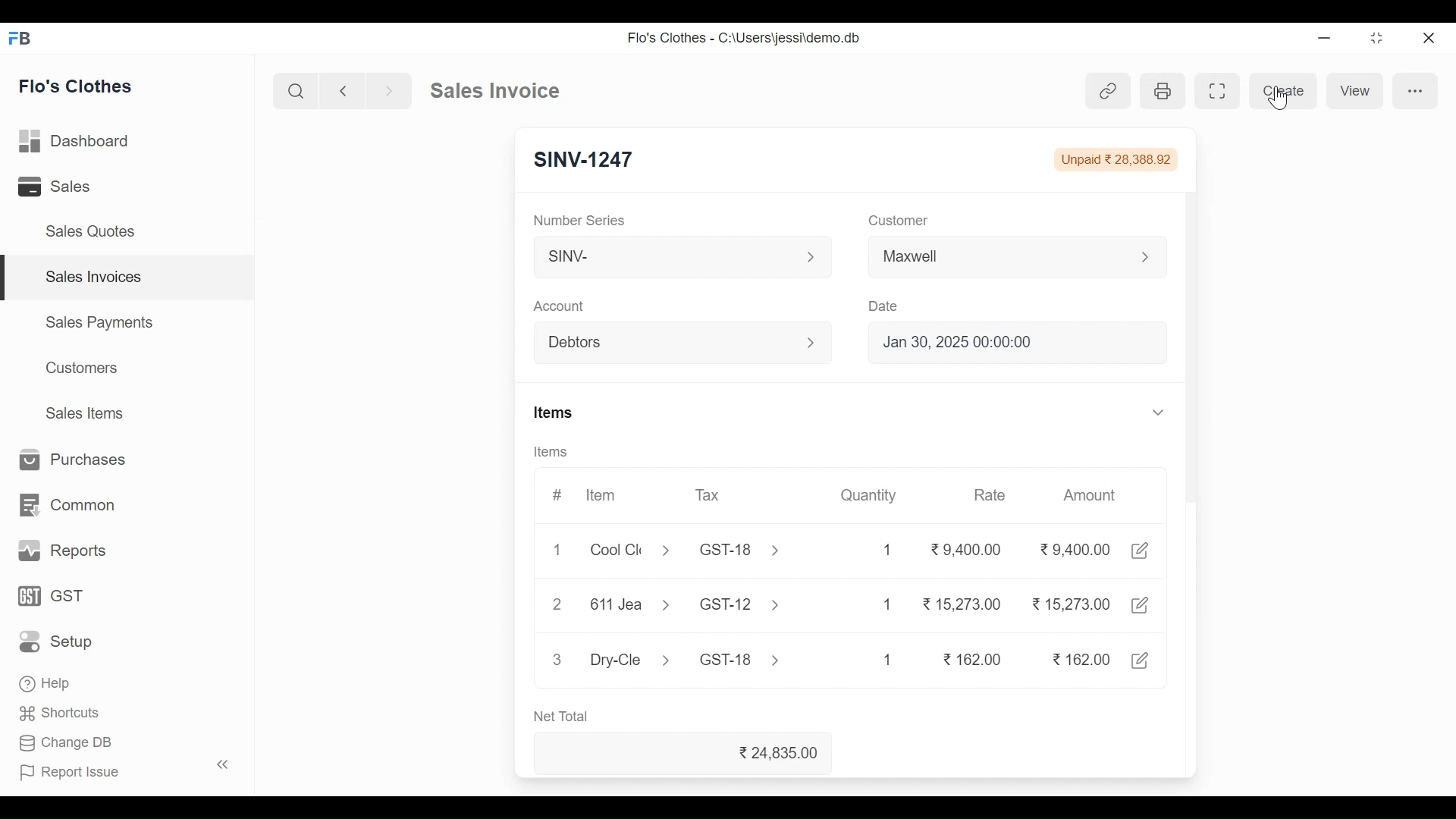  What do you see at coordinates (899, 222) in the screenshot?
I see `Customer` at bounding box center [899, 222].